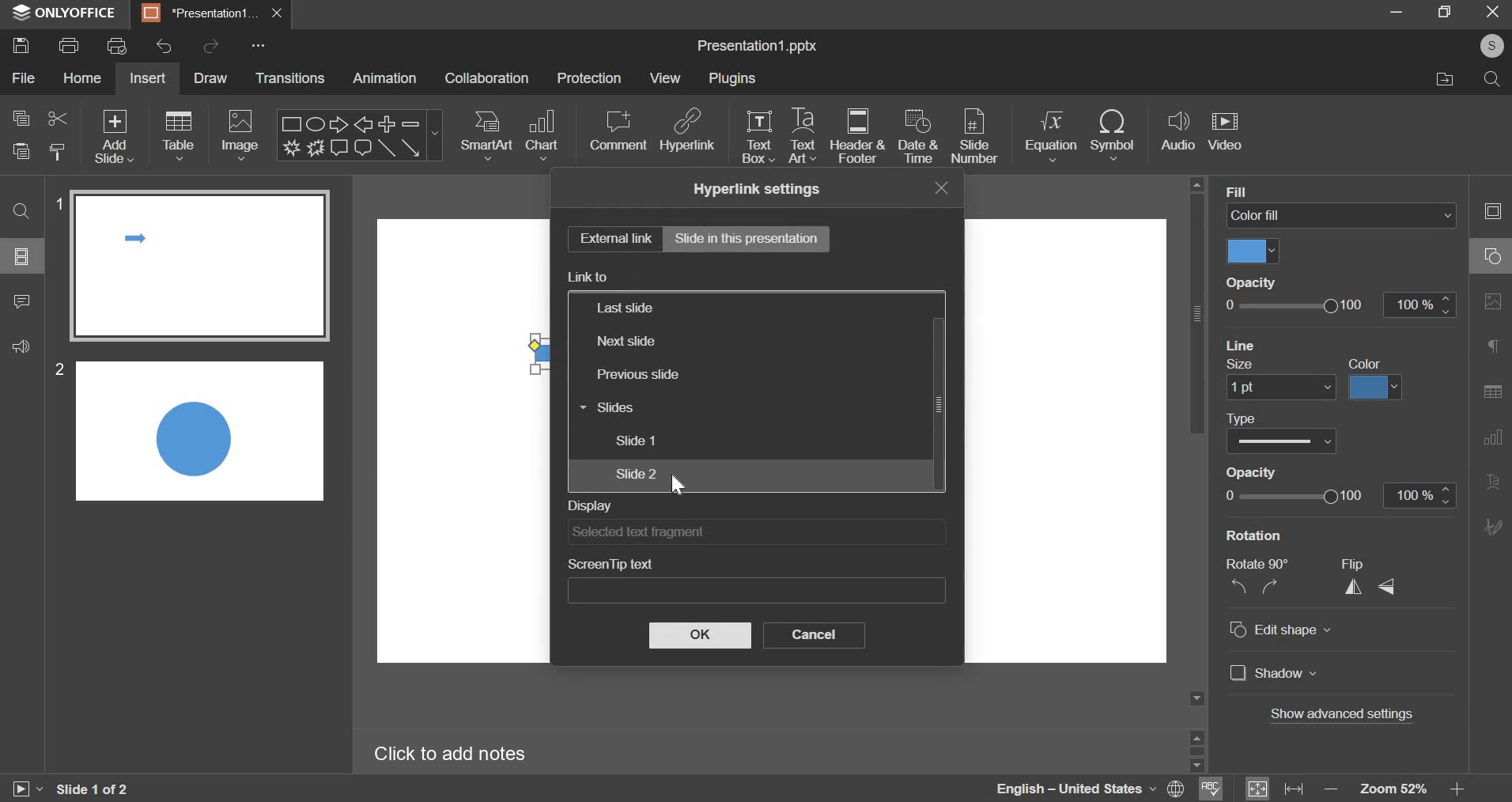 This screenshot has height=802, width=1512. Describe the element at coordinates (1399, 11) in the screenshot. I see `minimize` at that location.